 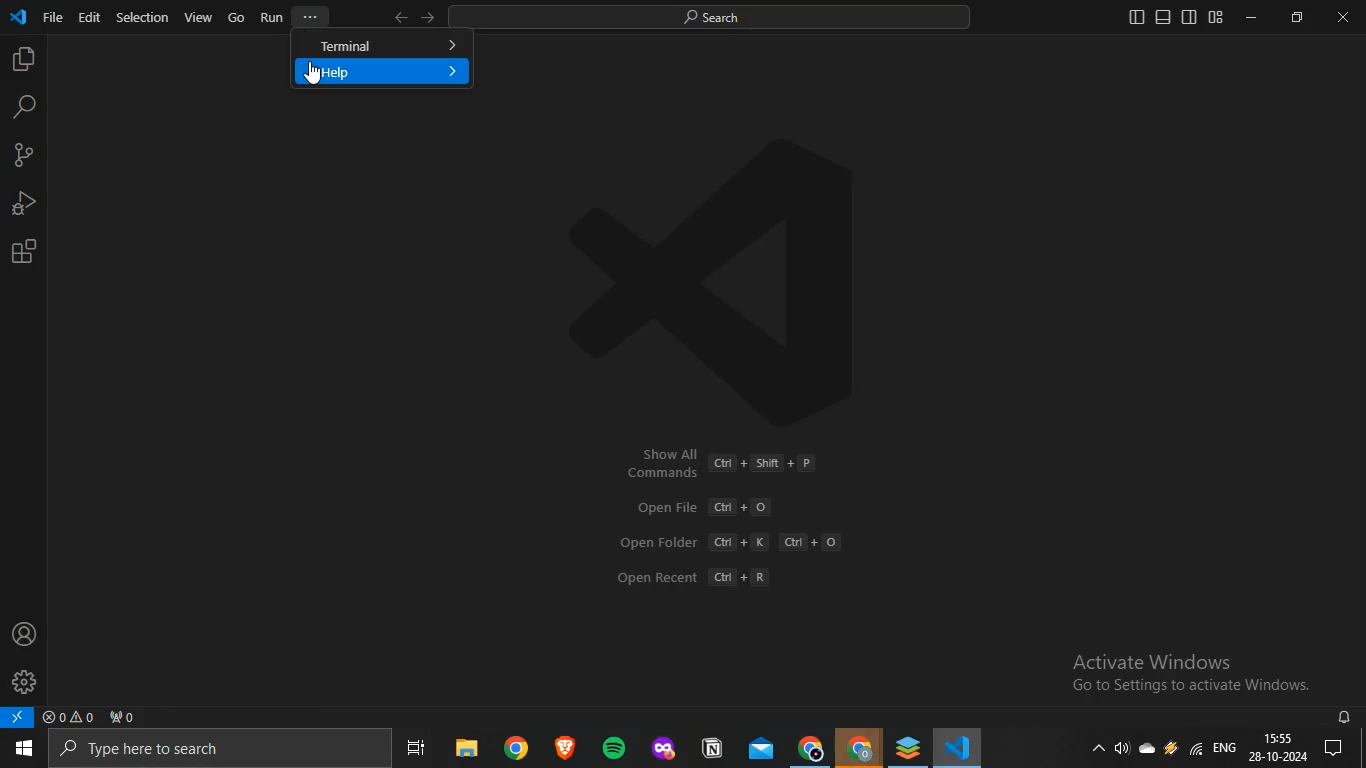 I want to click on search, so click(x=24, y=107).